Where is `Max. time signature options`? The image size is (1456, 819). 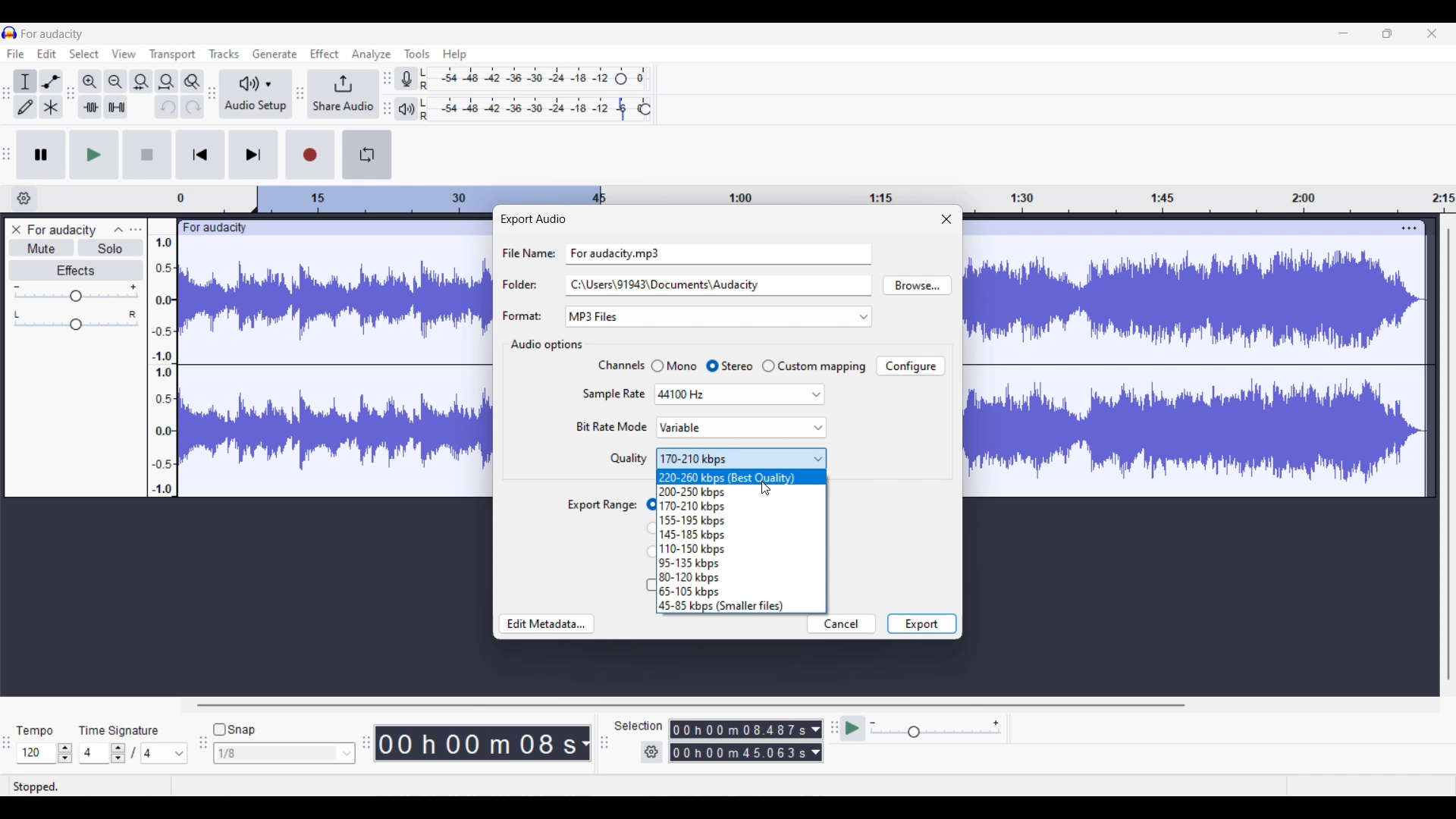
Max. time signature options is located at coordinates (165, 753).